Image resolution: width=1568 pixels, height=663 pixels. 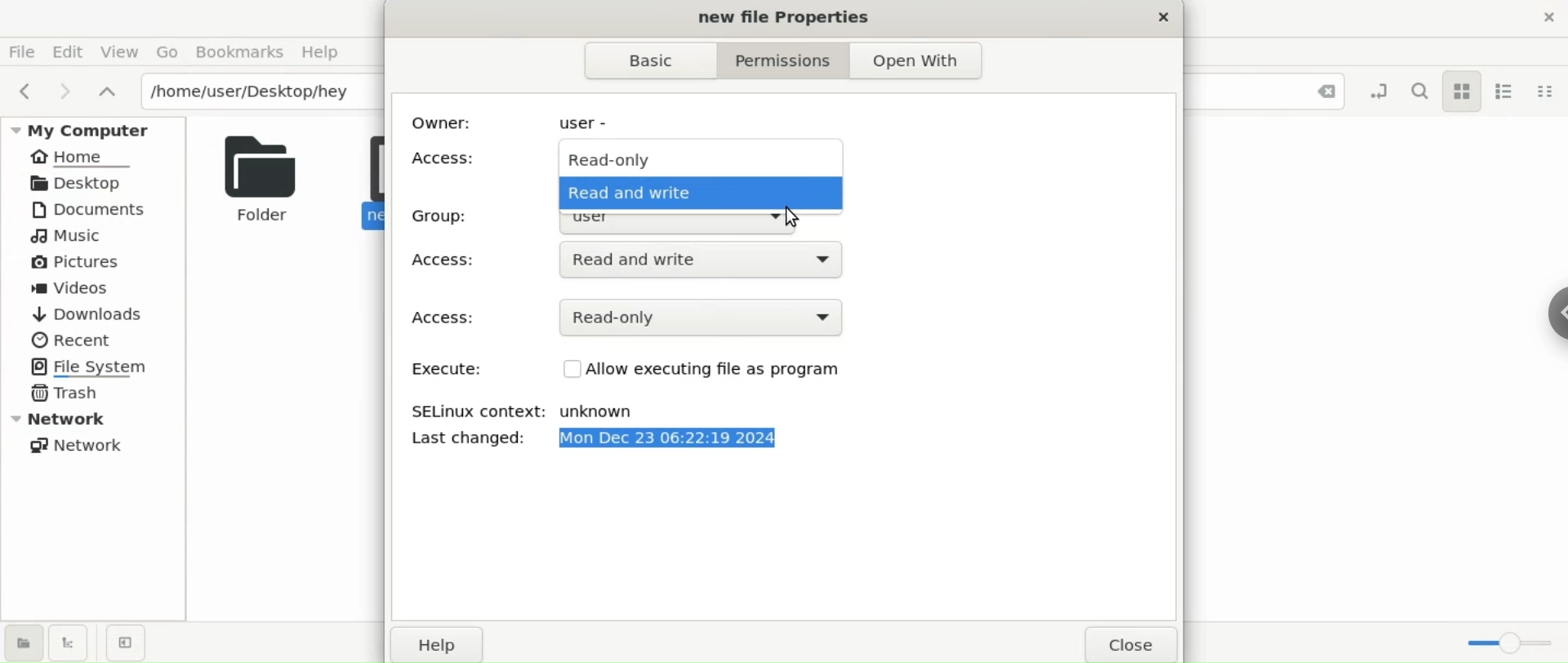 I want to click on Last changed: Mon Dec 23 06:22:19 2024, so click(x=666, y=446).